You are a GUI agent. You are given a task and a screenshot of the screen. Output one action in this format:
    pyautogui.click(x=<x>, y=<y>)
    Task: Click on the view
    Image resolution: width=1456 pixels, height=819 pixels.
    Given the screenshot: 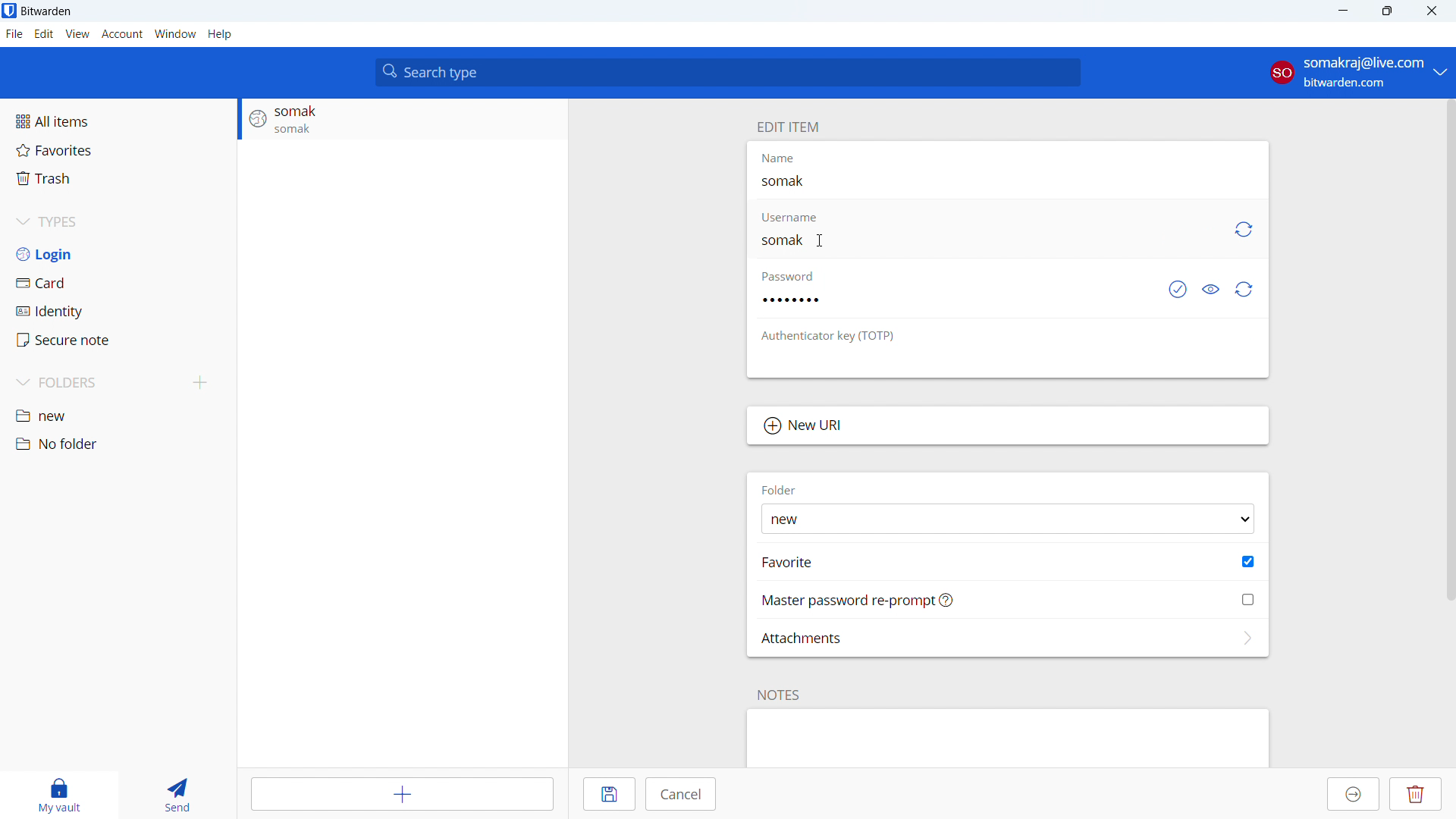 What is the action you would take?
    pyautogui.click(x=78, y=34)
    